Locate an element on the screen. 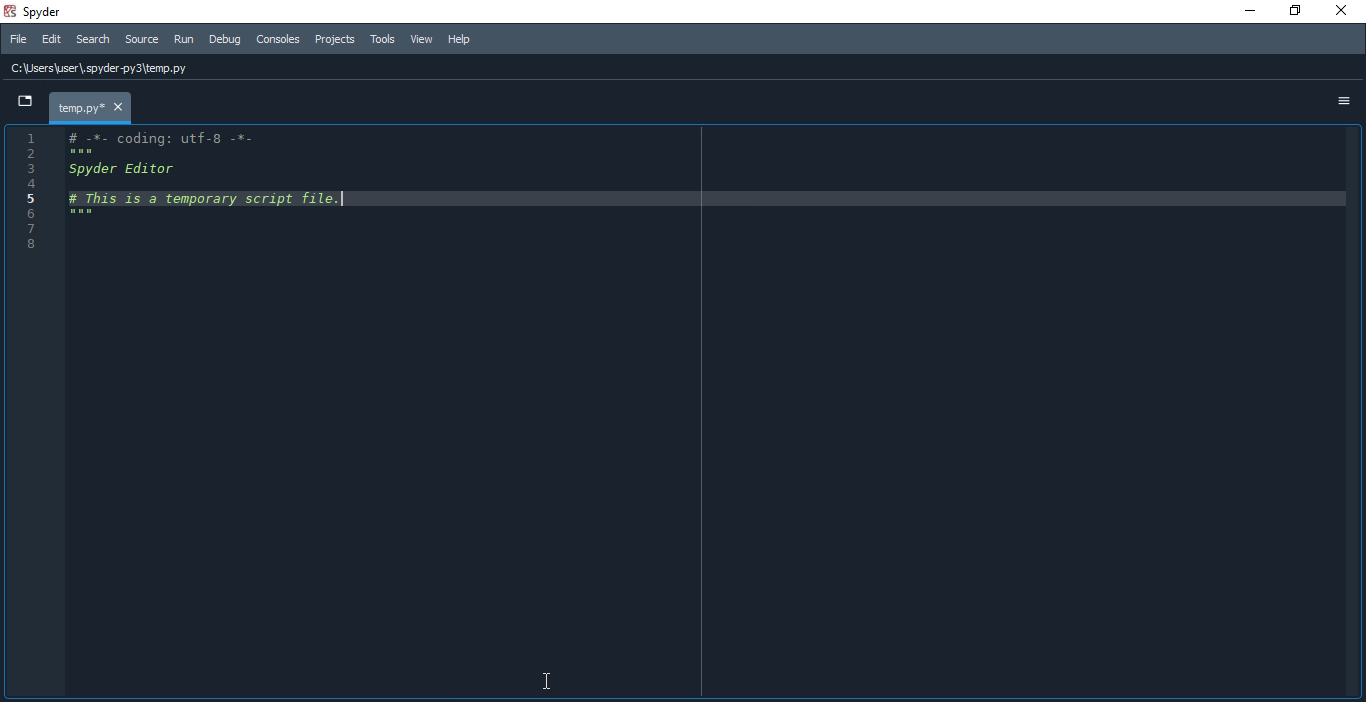 The width and height of the screenshot is (1366, 702). Run is located at coordinates (184, 39).